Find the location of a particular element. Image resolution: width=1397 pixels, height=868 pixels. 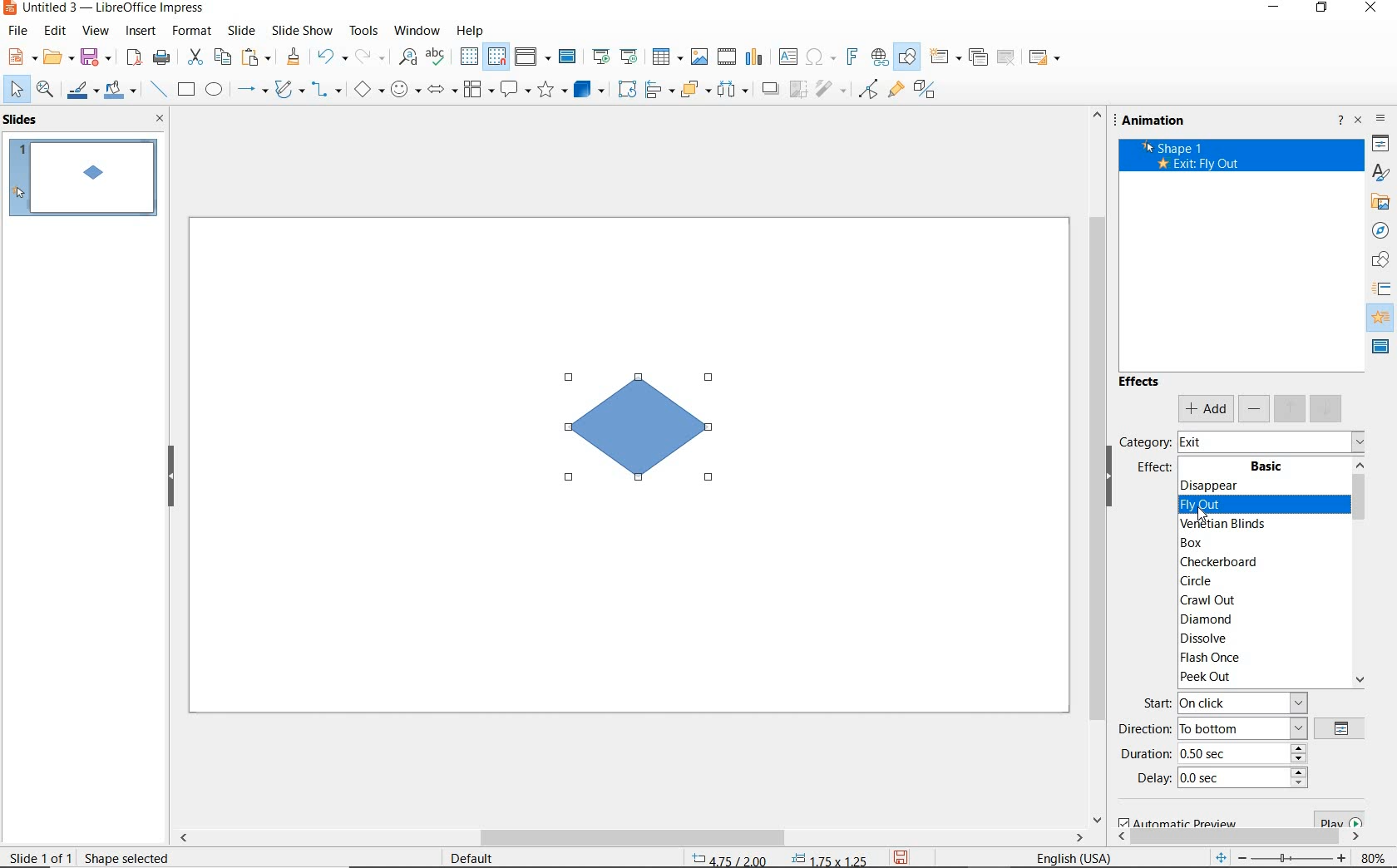

open is located at coordinates (57, 58).